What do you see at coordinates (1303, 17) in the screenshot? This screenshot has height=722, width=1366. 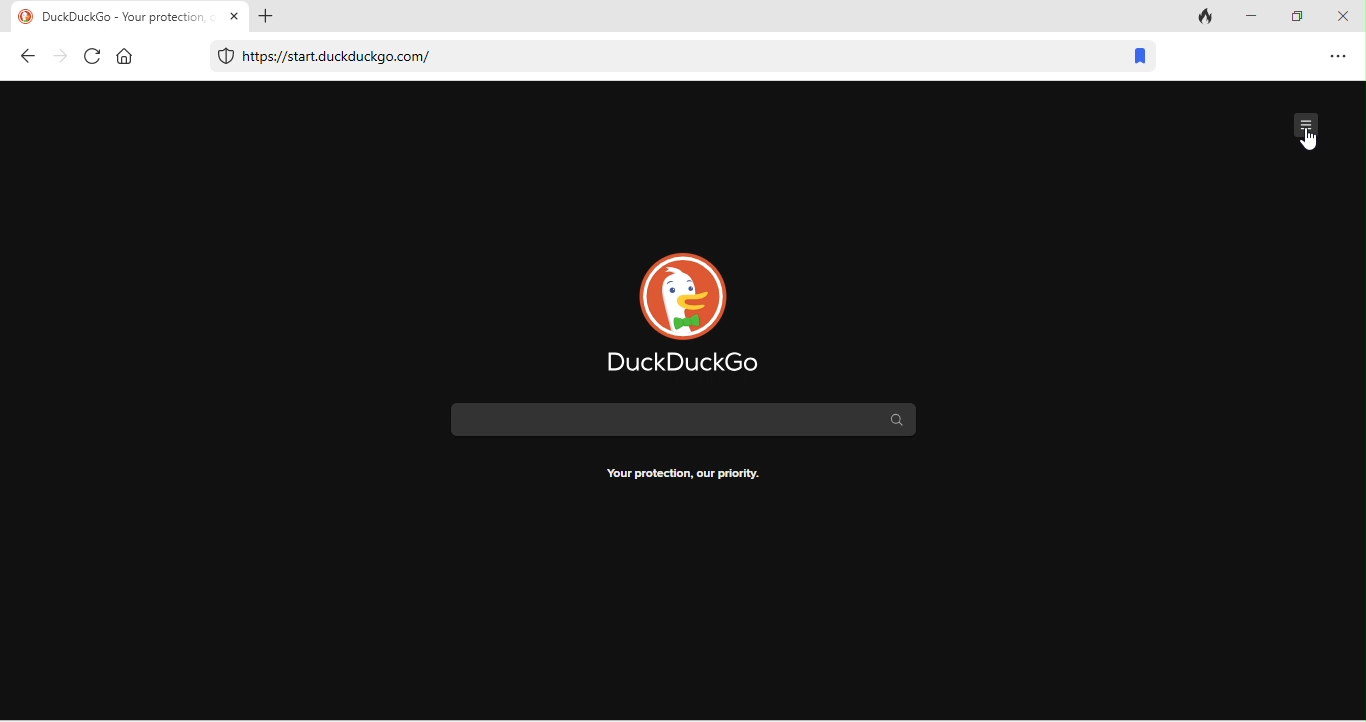 I see `maximize` at bounding box center [1303, 17].